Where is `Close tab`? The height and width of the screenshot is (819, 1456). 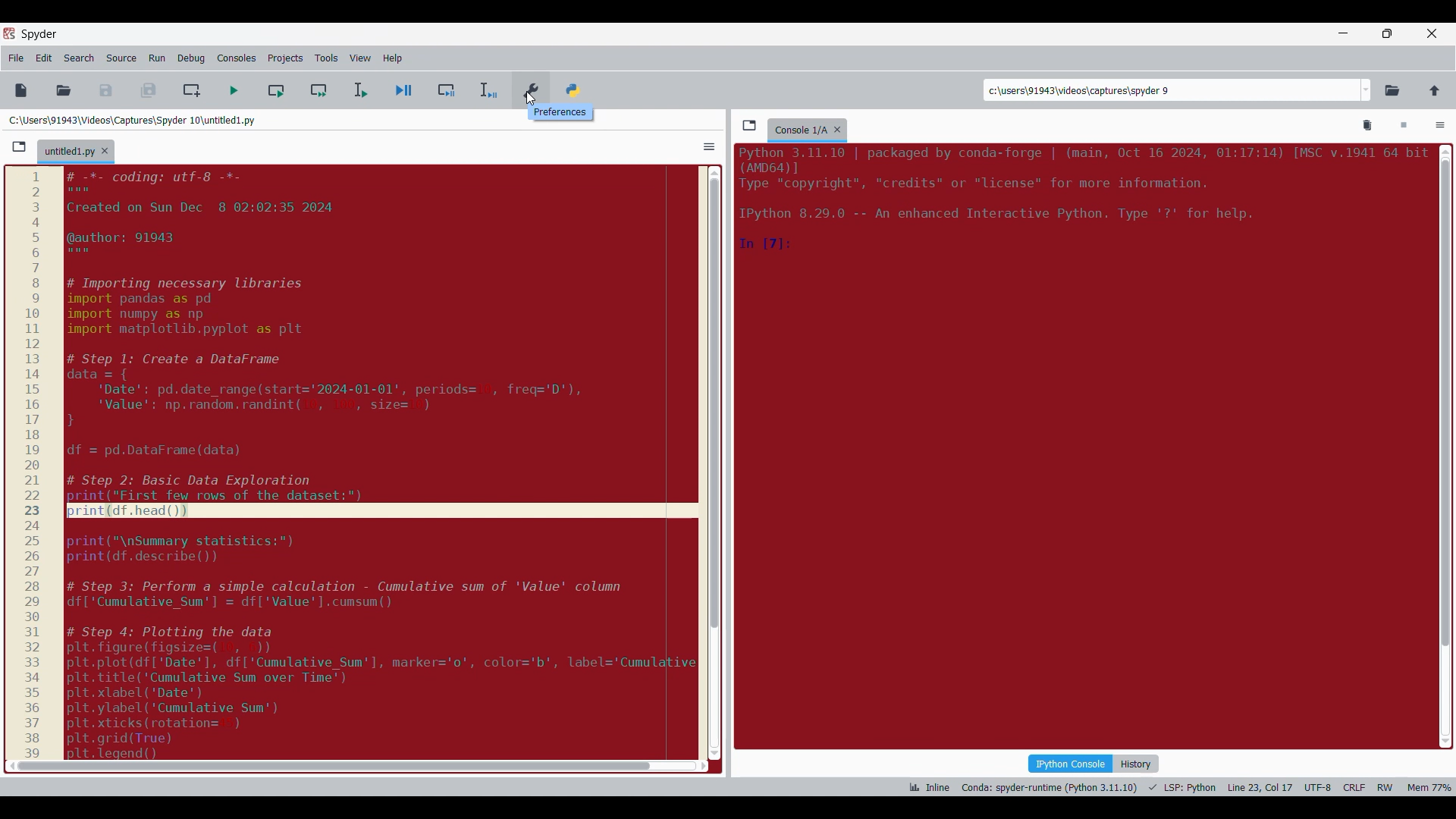 Close tab is located at coordinates (837, 129).